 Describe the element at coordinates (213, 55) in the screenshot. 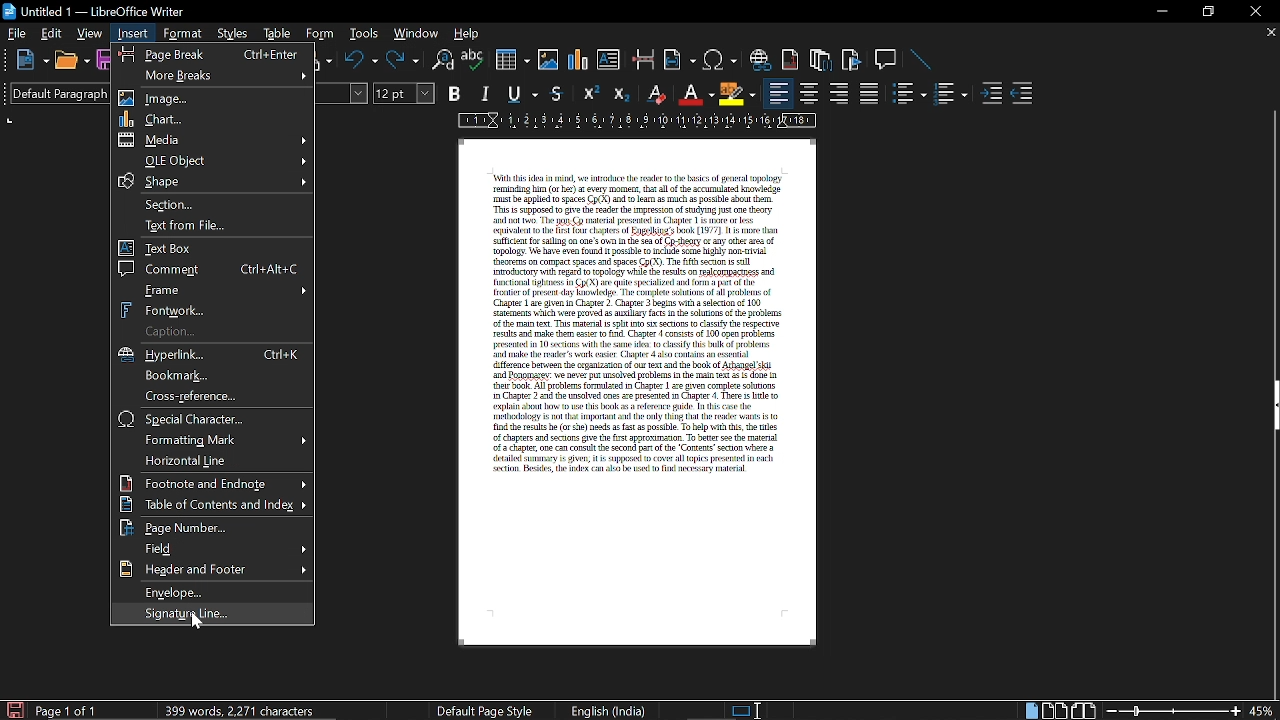

I see `page break` at that location.